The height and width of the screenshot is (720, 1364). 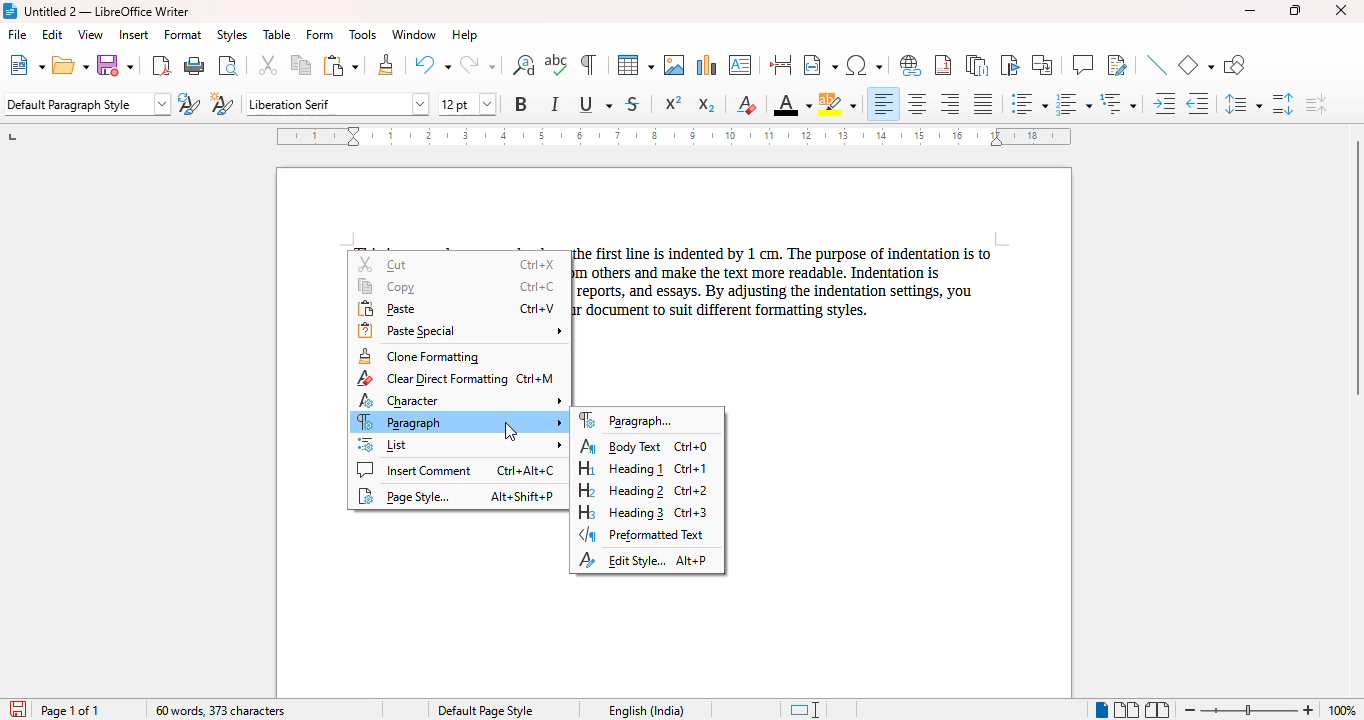 I want to click on single-page view, so click(x=1101, y=710).